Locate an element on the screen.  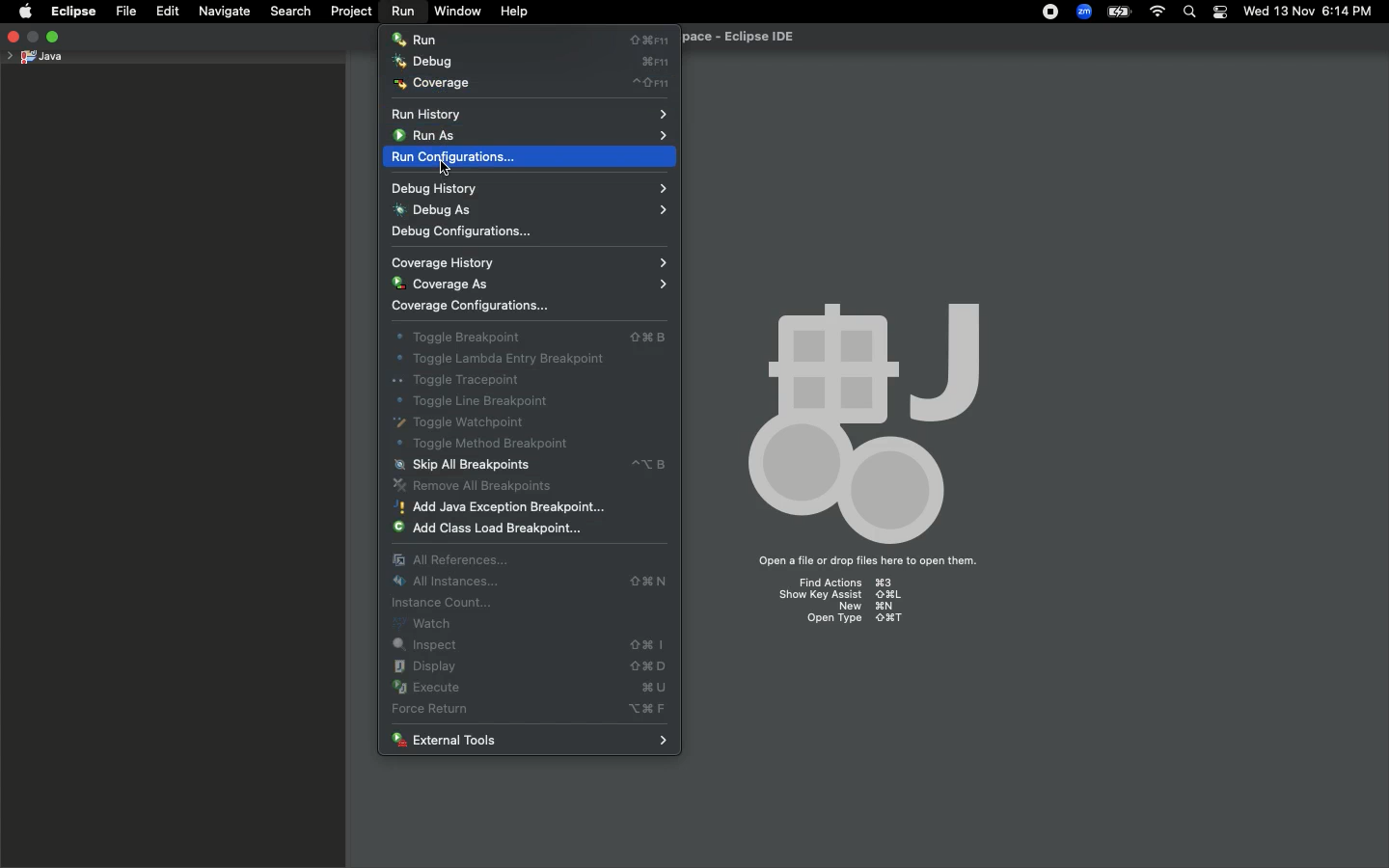
File is located at coordinates (123, 13).